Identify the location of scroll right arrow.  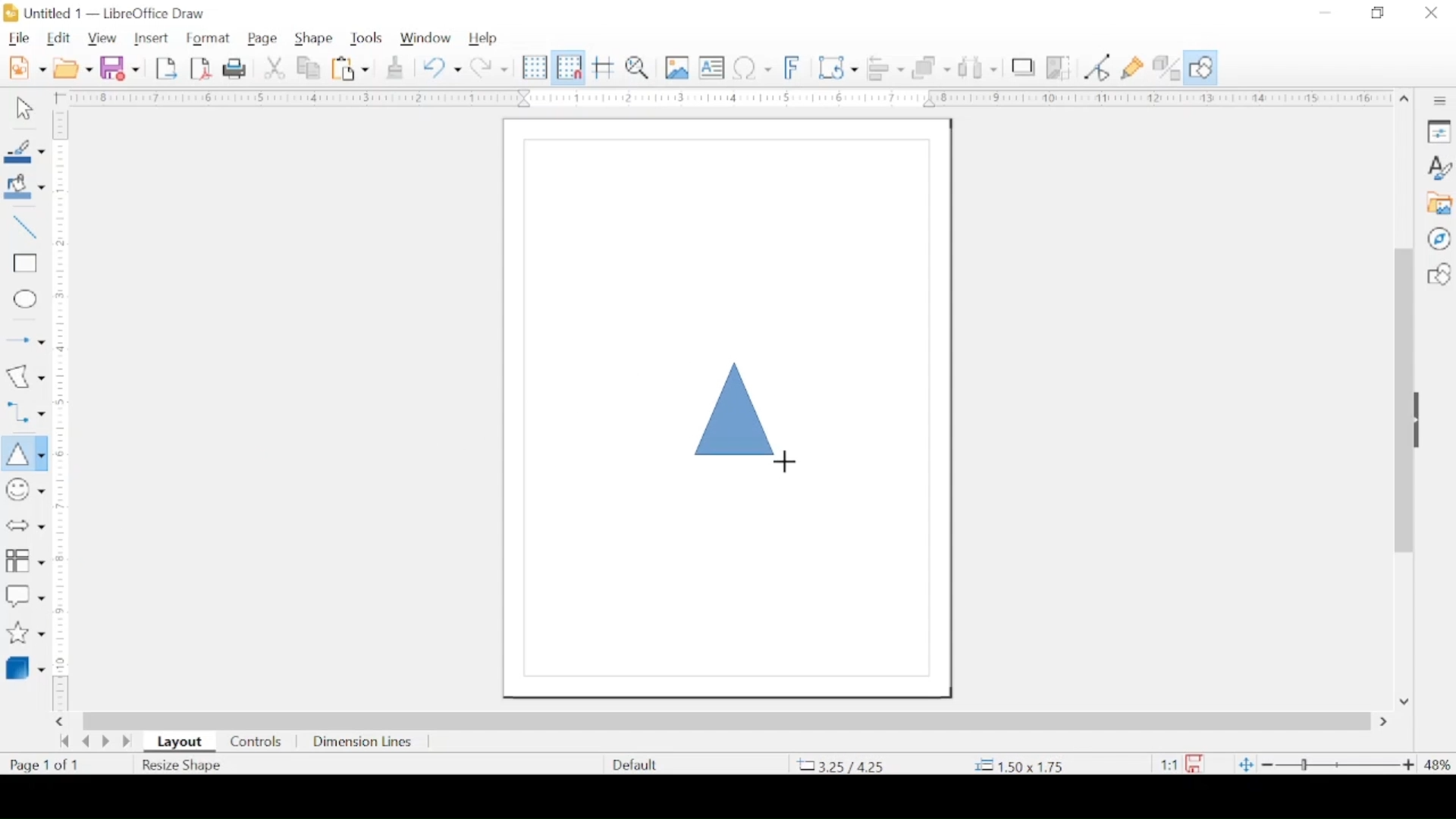
(1386, 722).